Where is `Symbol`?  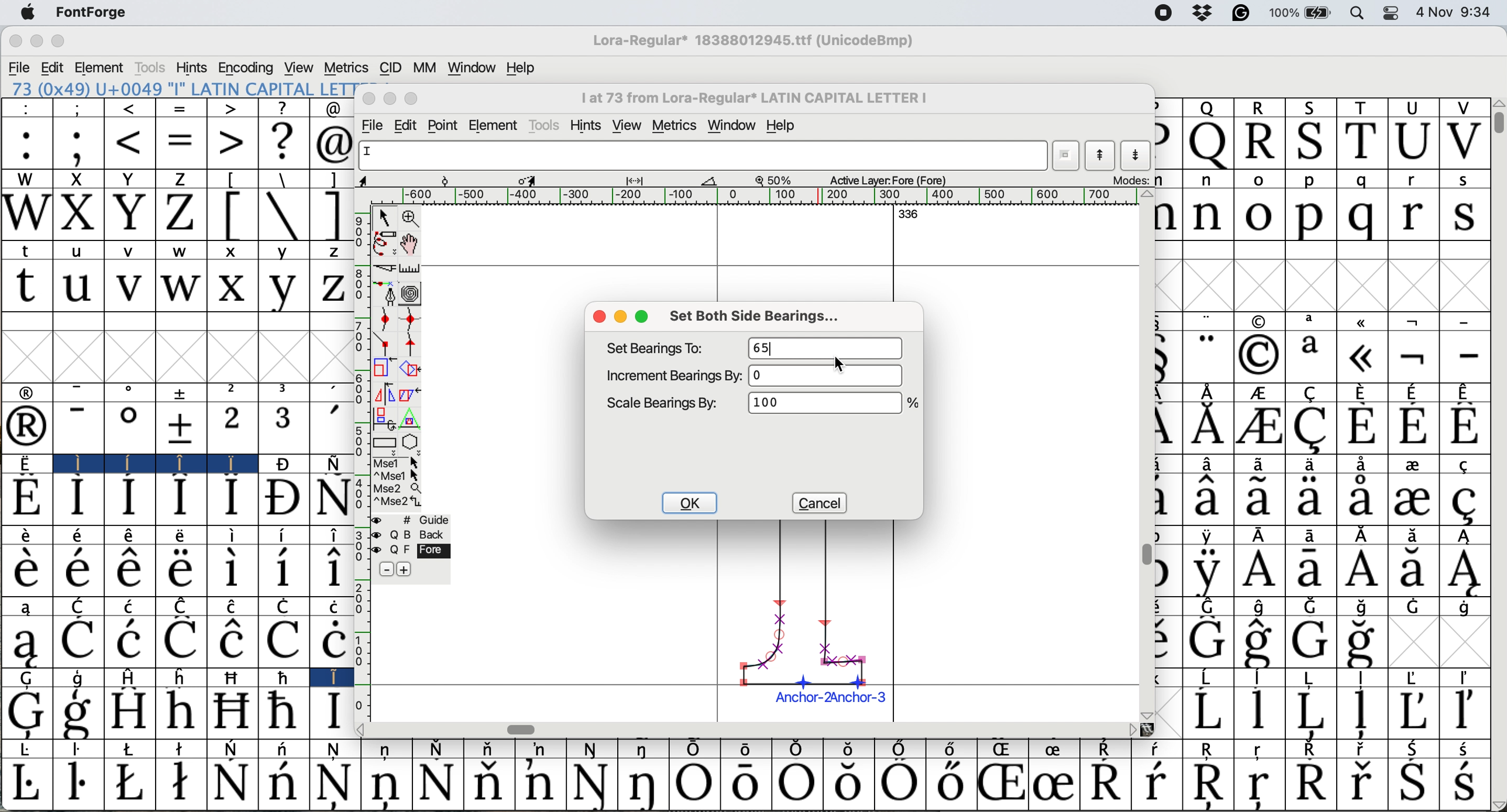
Symbol is located at coordinates (1413, 500).